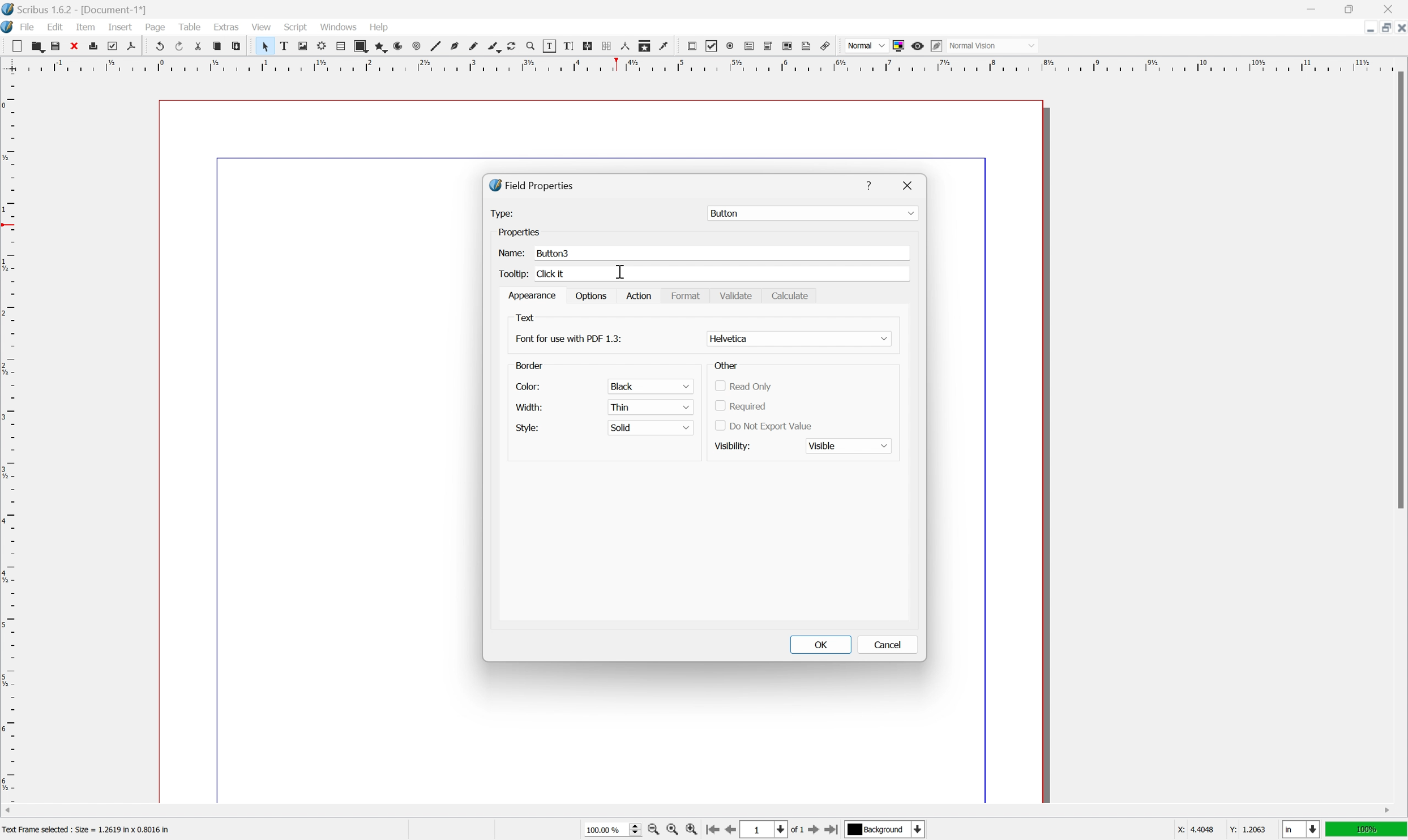 Image resolution: width=1408 pixels, height=840 pixels. What do you see at coordinates (322, 44) in the screenshot?
I see `render frame` at bounding box center [322, 44].